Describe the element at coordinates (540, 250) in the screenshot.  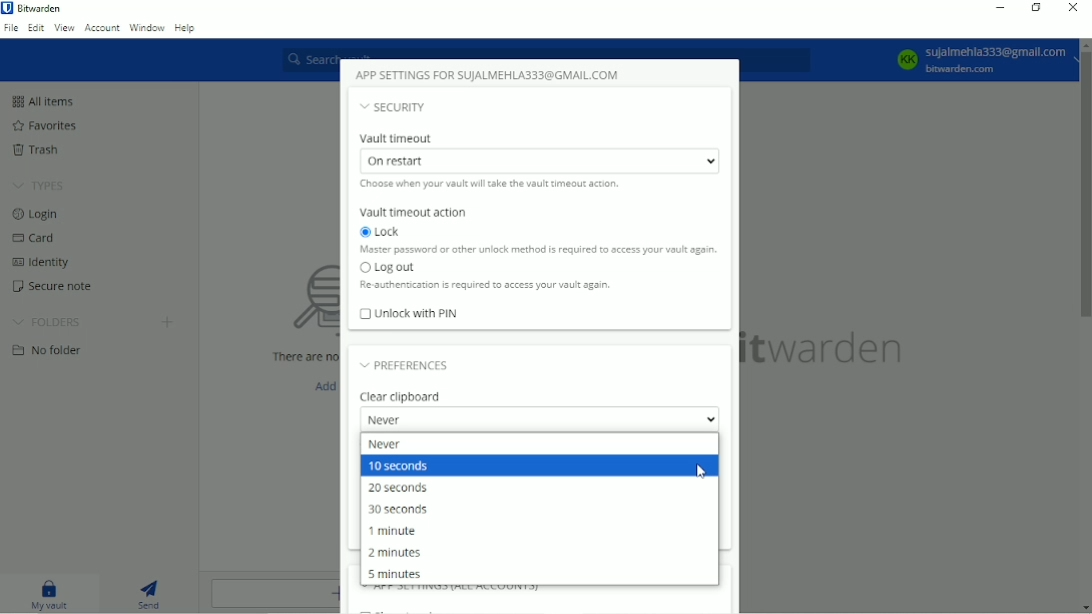
I see `Master password or other unlock method is required to access your vault again.` at that location.